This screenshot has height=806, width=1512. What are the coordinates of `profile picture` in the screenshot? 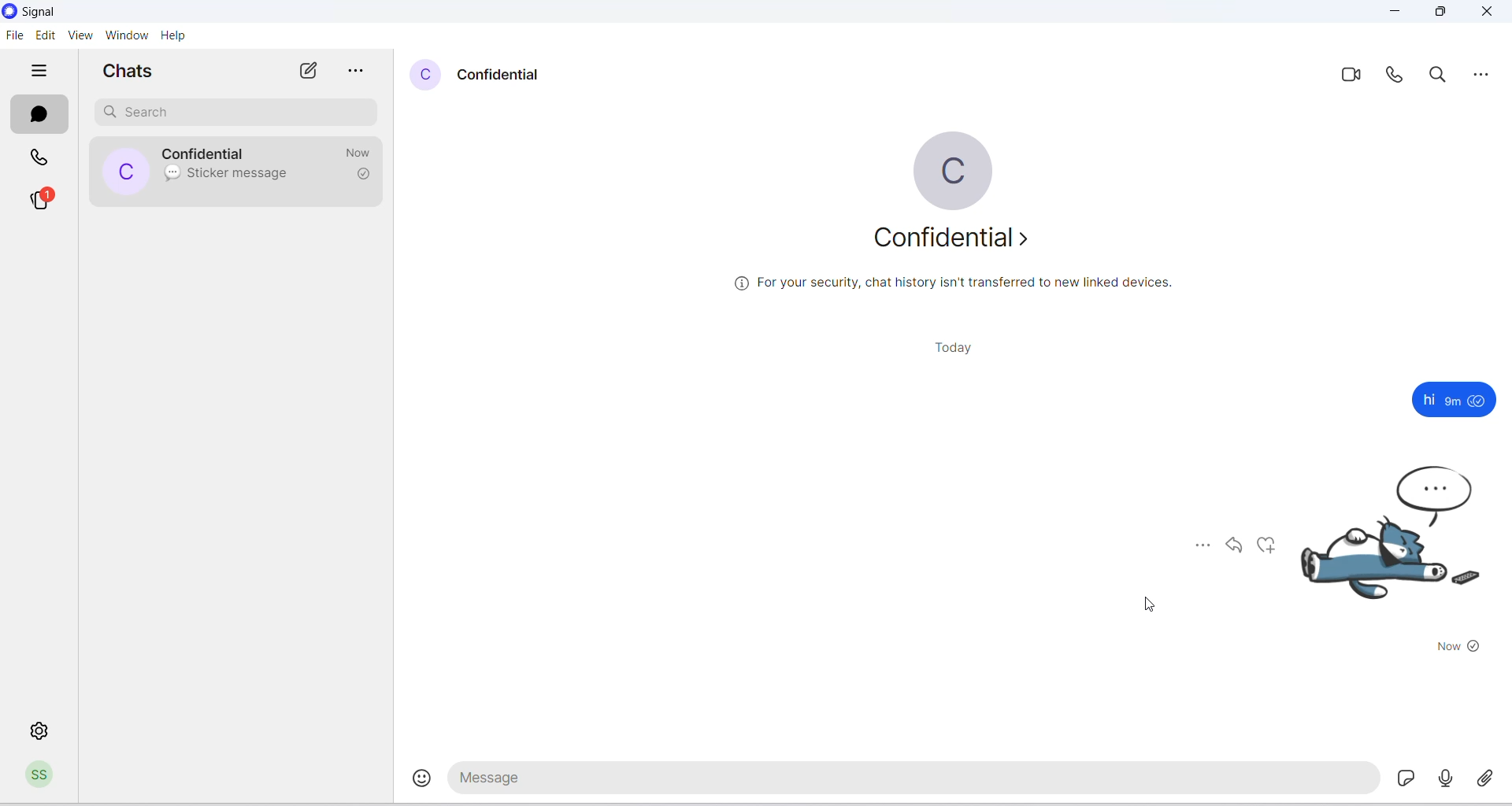 It's located at (951, 171).